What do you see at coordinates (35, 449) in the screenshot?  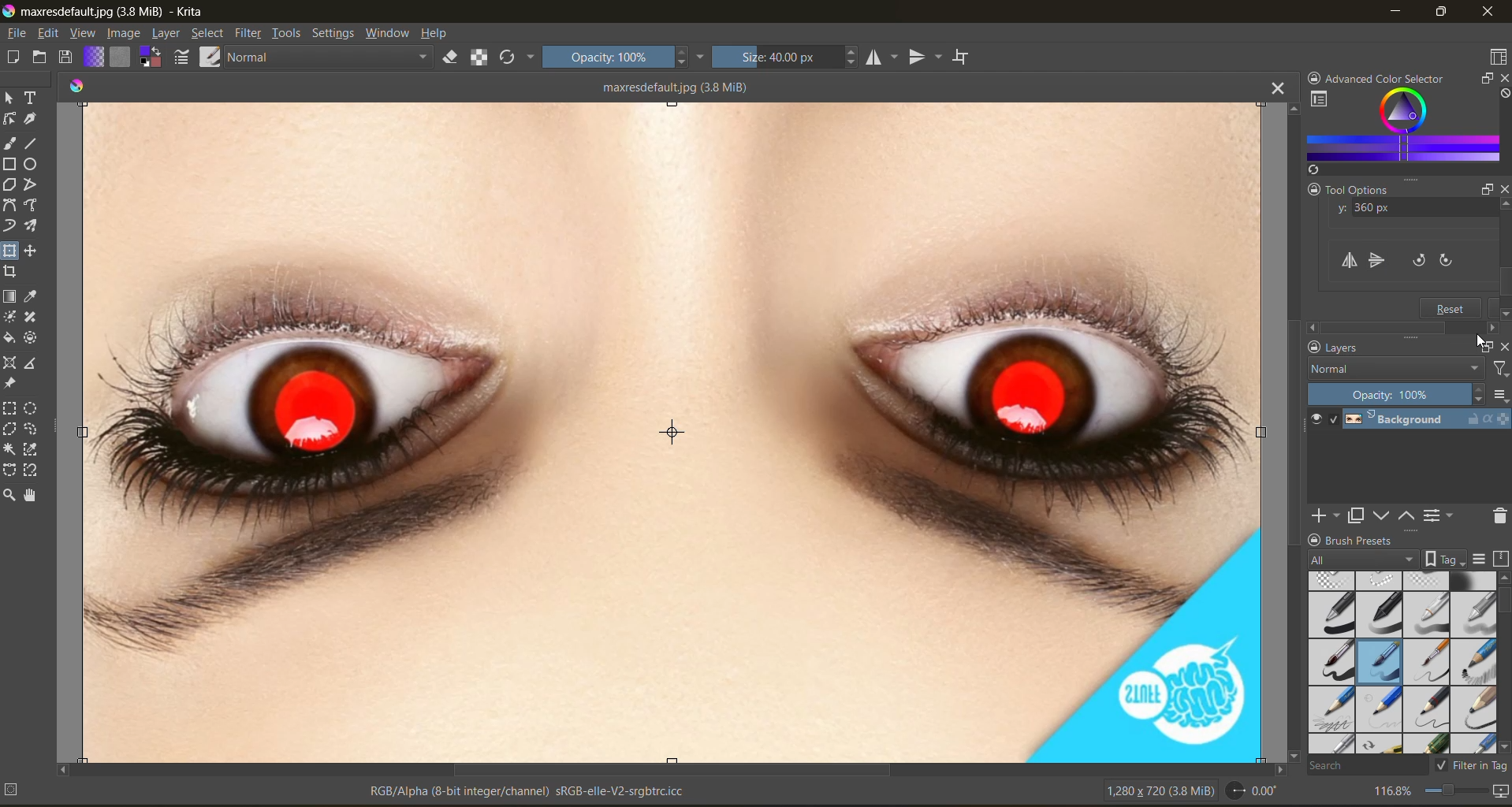 I see `tool` at bounding box center [35, 449].